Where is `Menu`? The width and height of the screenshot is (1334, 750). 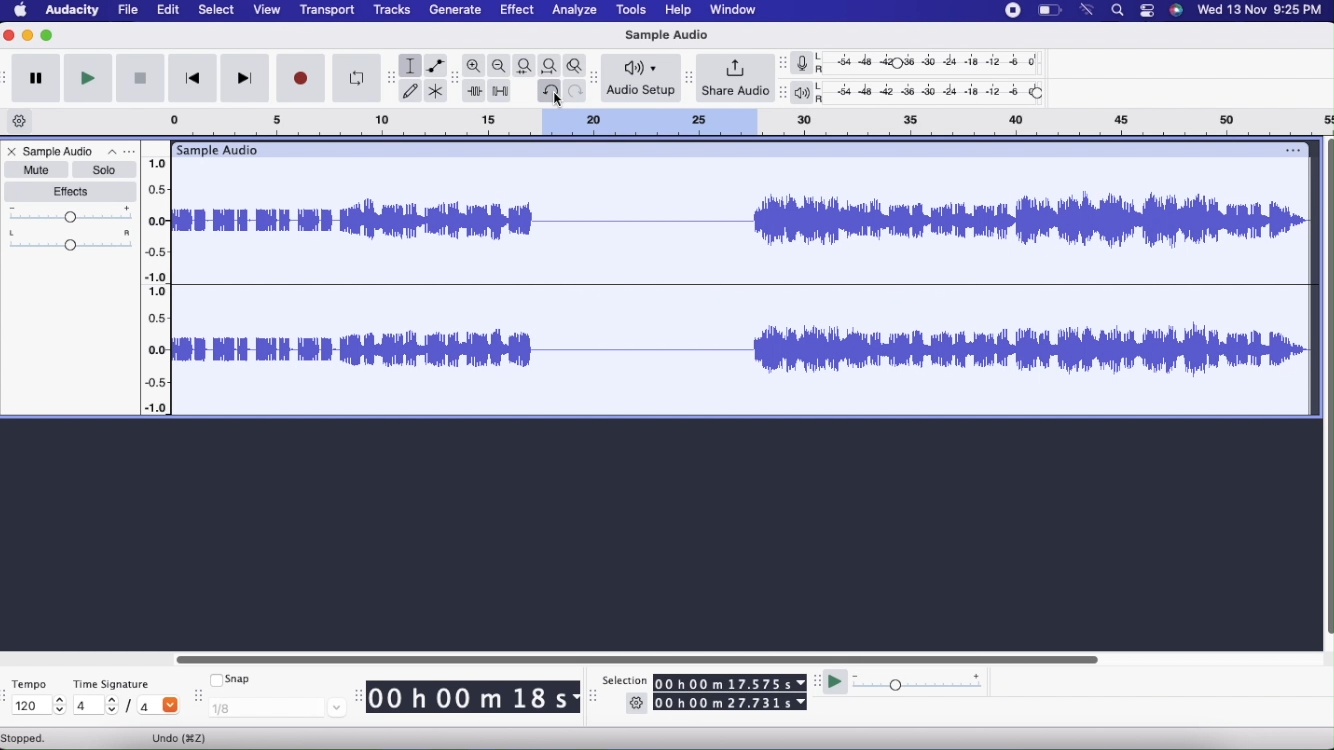 Menu is located at coordinates (1013, 11).